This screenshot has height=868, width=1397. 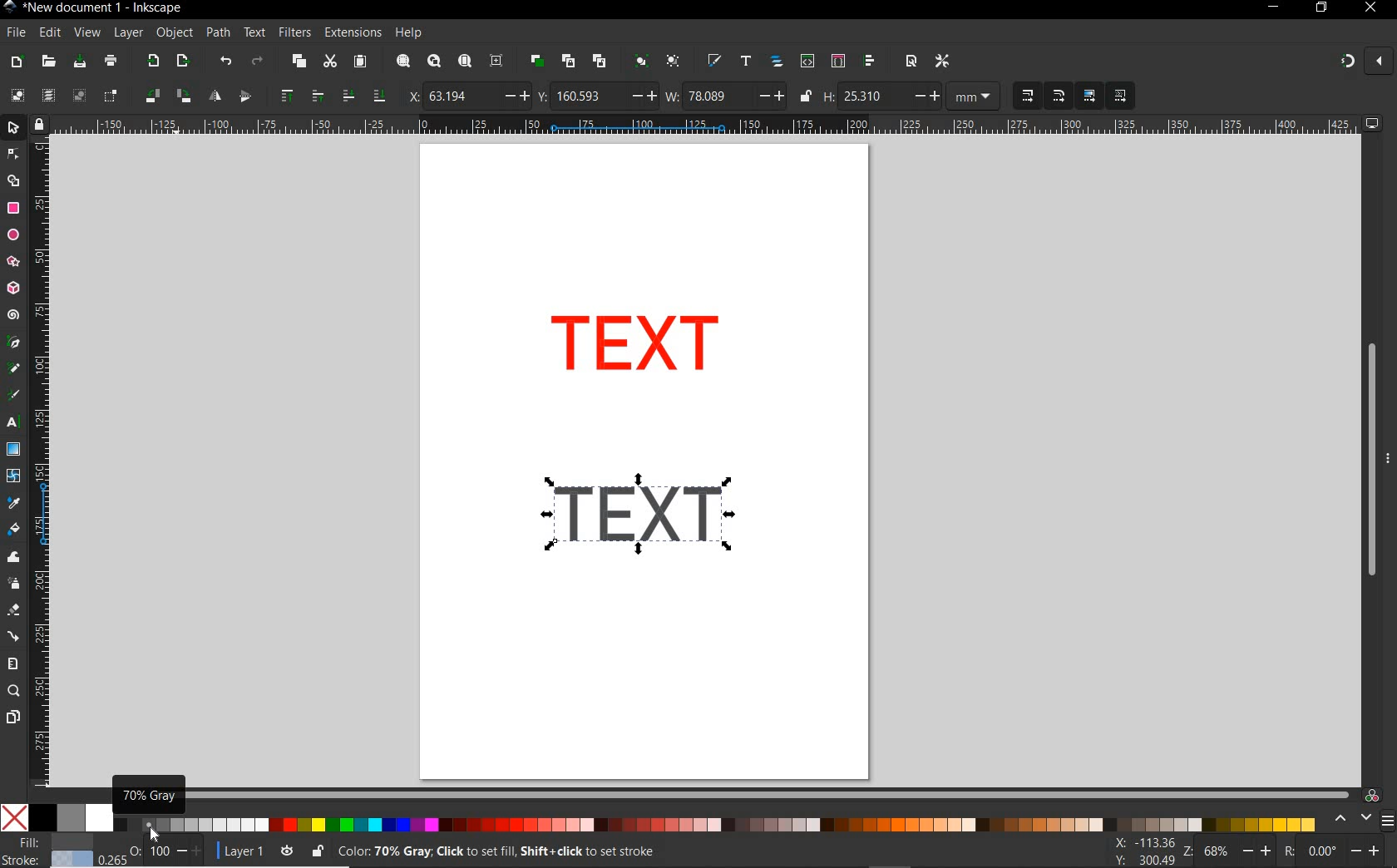 I want to click on filters, so click(x=294, y=32).